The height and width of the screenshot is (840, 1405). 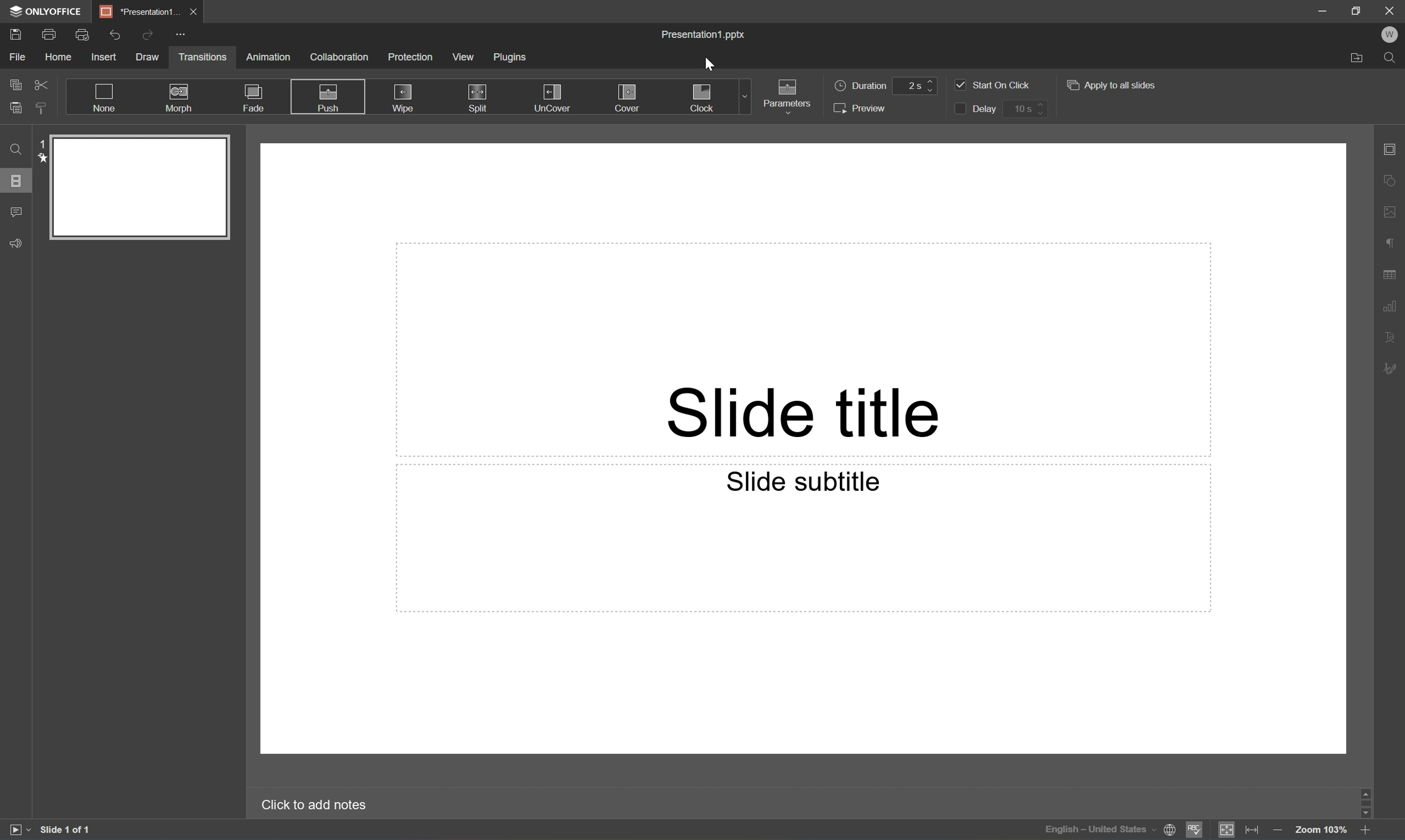 I want to click on Zoom 103%, so click(x=1318, y=831).